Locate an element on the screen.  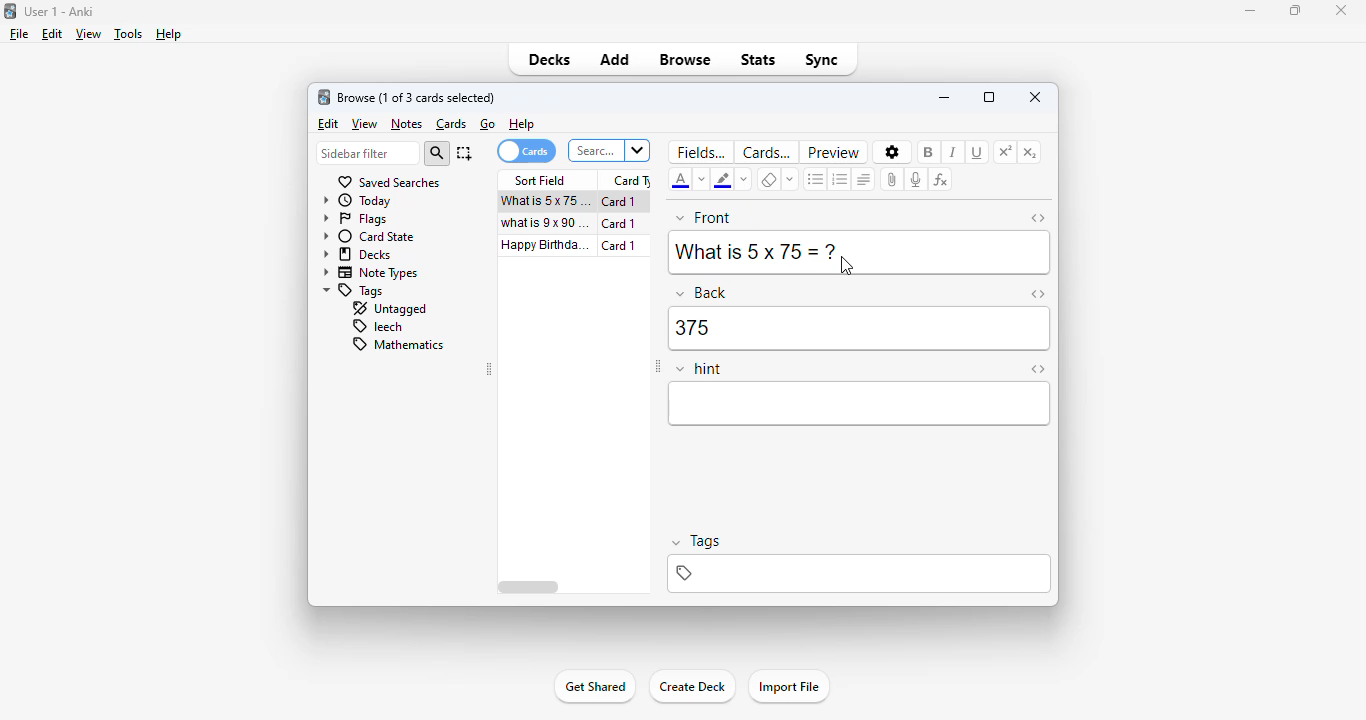
fields is located at coordinates (701, 152).